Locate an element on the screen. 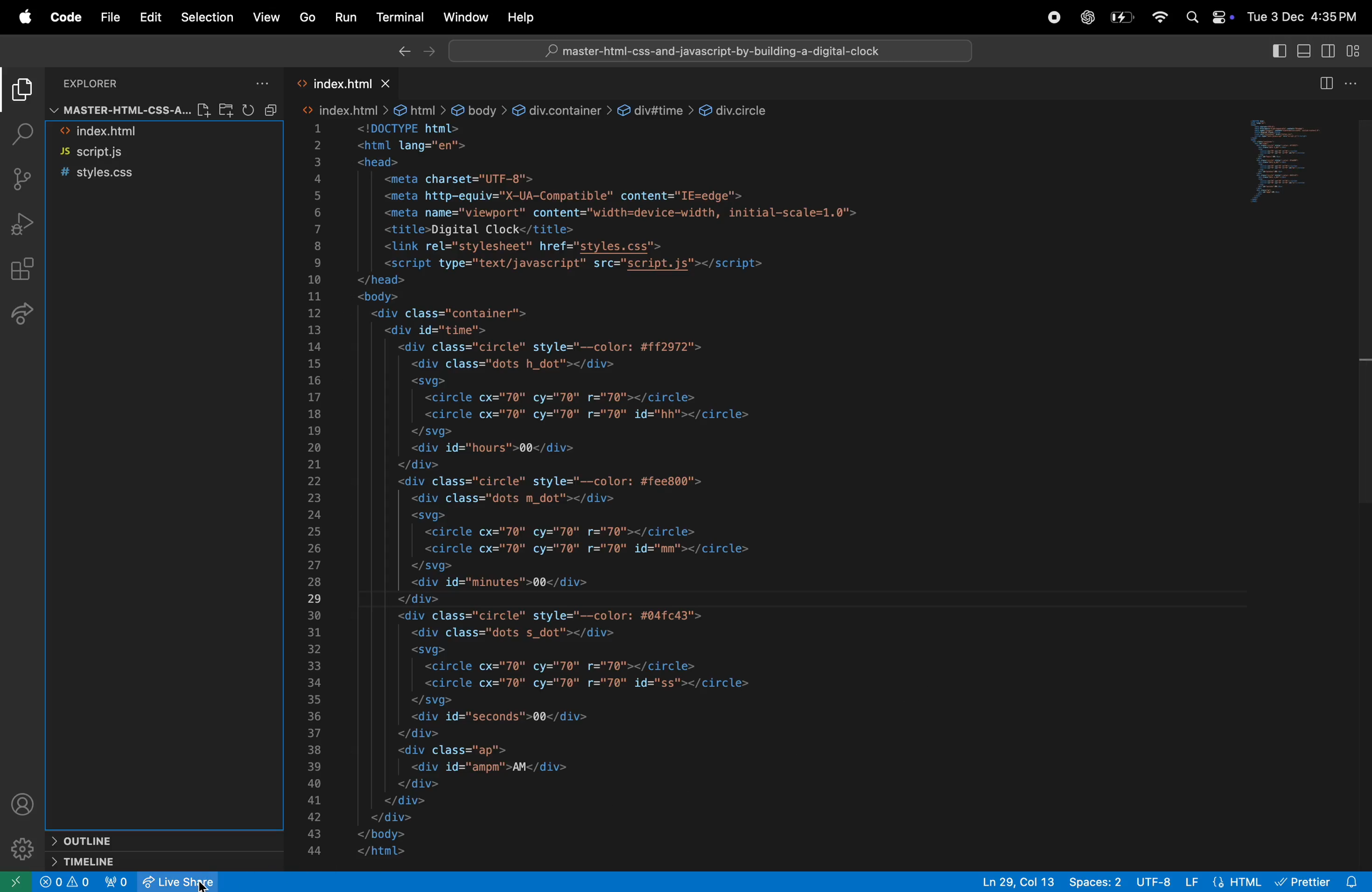  script.js is located at coordinates (148, 153).